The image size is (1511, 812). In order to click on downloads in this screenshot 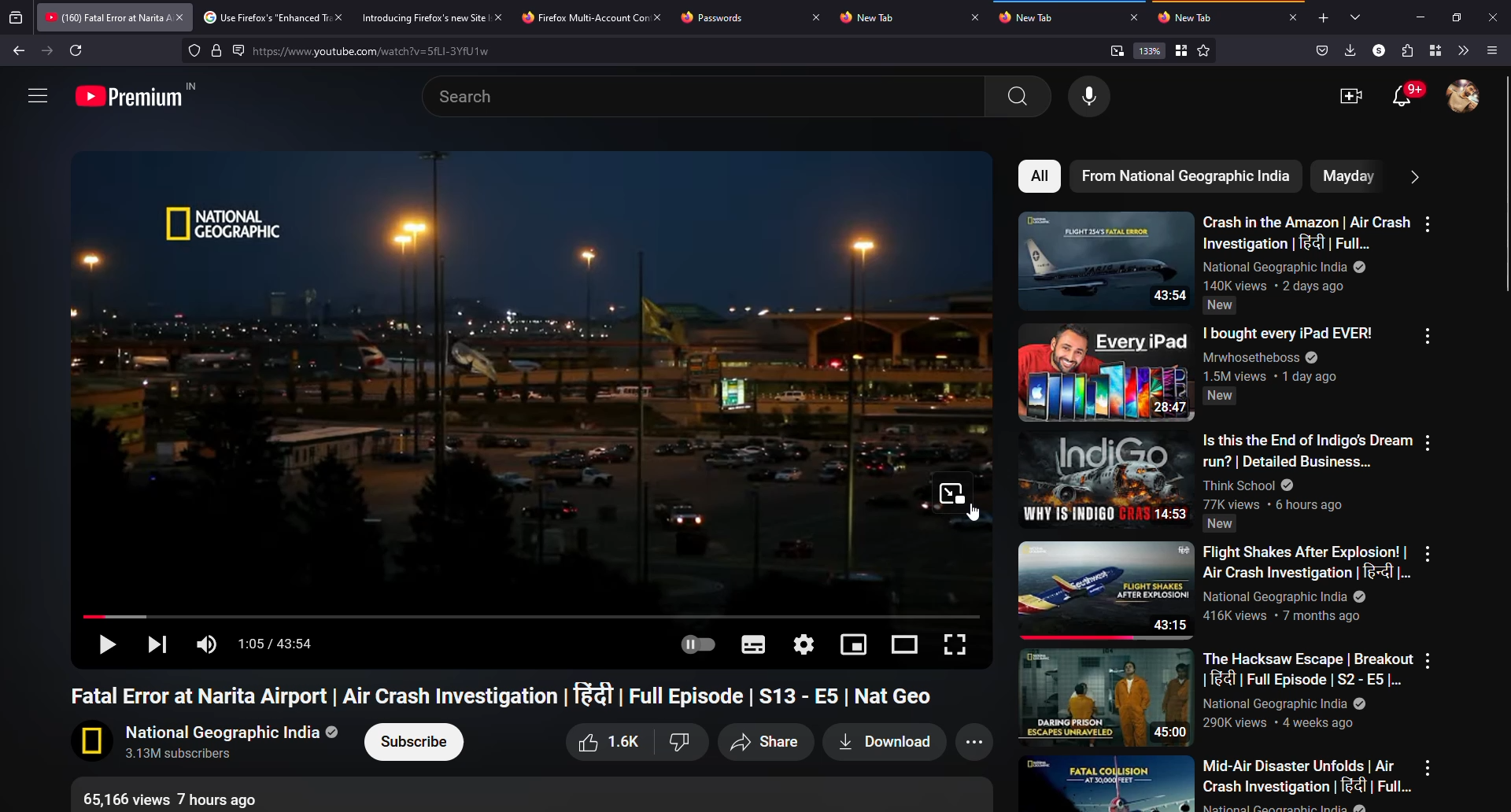, I will do `click(1350, 50)`.